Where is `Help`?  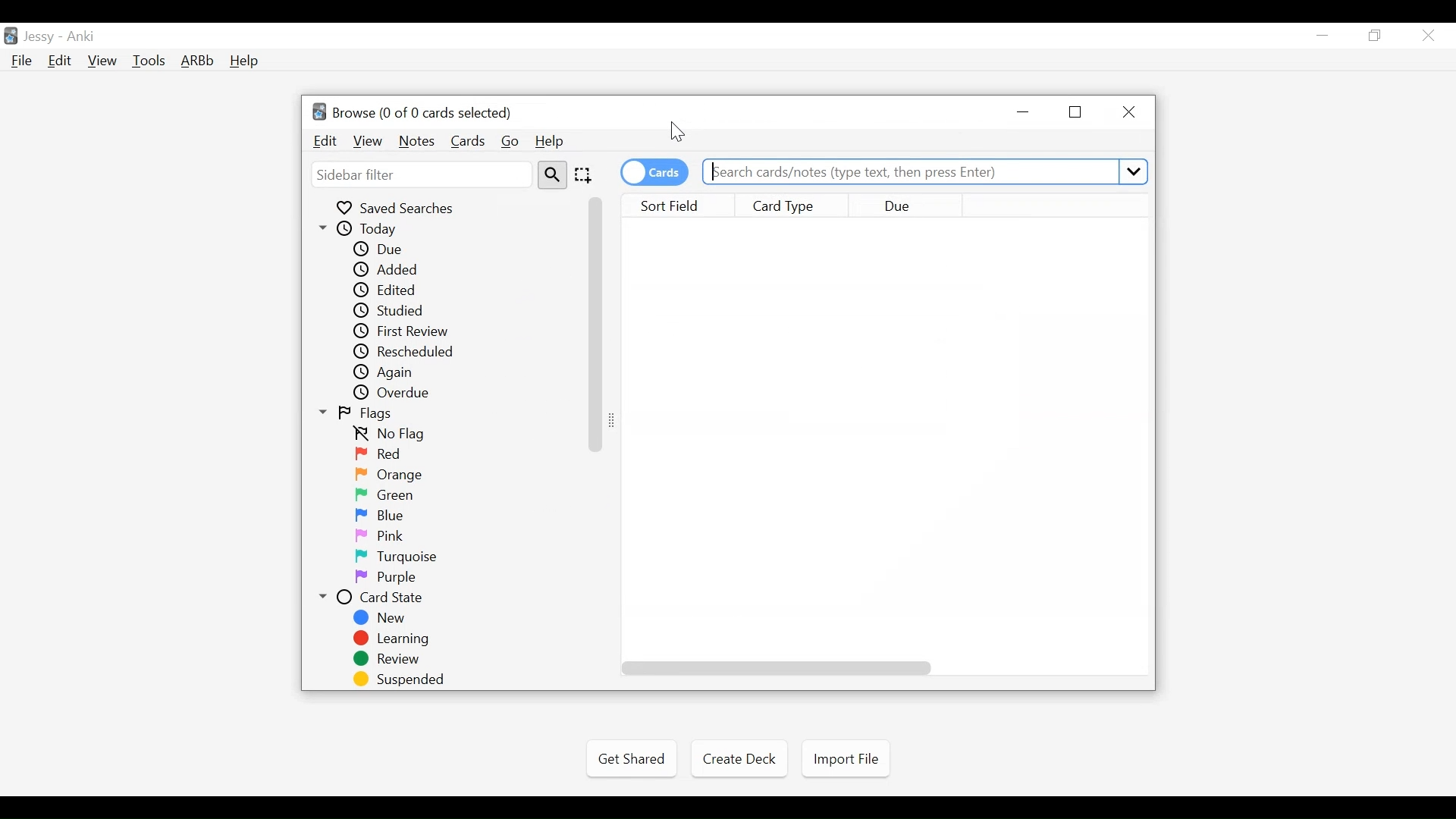
Help is located at coordinates (554, 142).